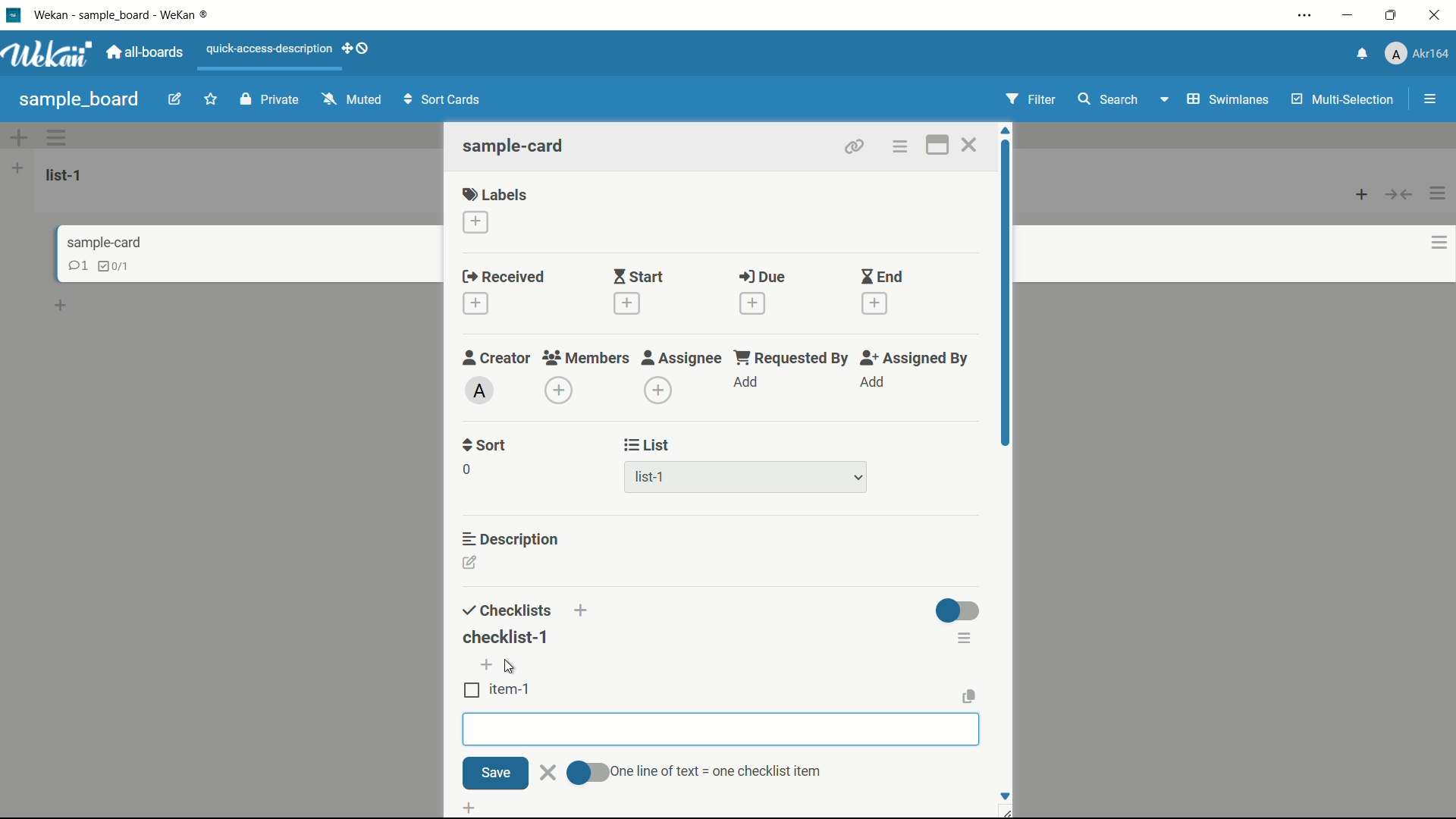  Describe the element at coordinates (649, 447) in the screenshot. I see `list` at that location.